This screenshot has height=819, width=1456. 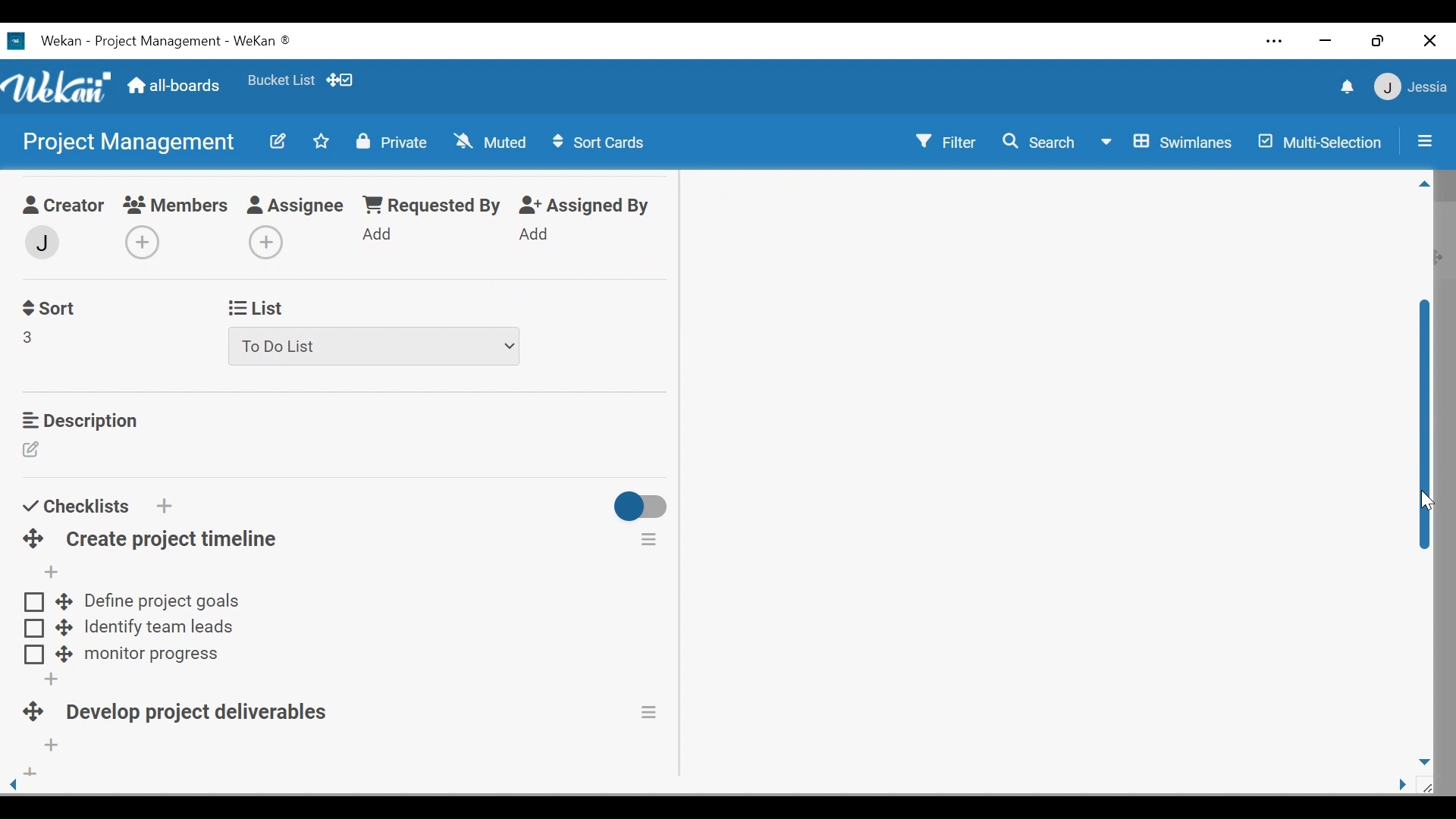 I want to click on Home (all-boards), so click(x=176, y=88).